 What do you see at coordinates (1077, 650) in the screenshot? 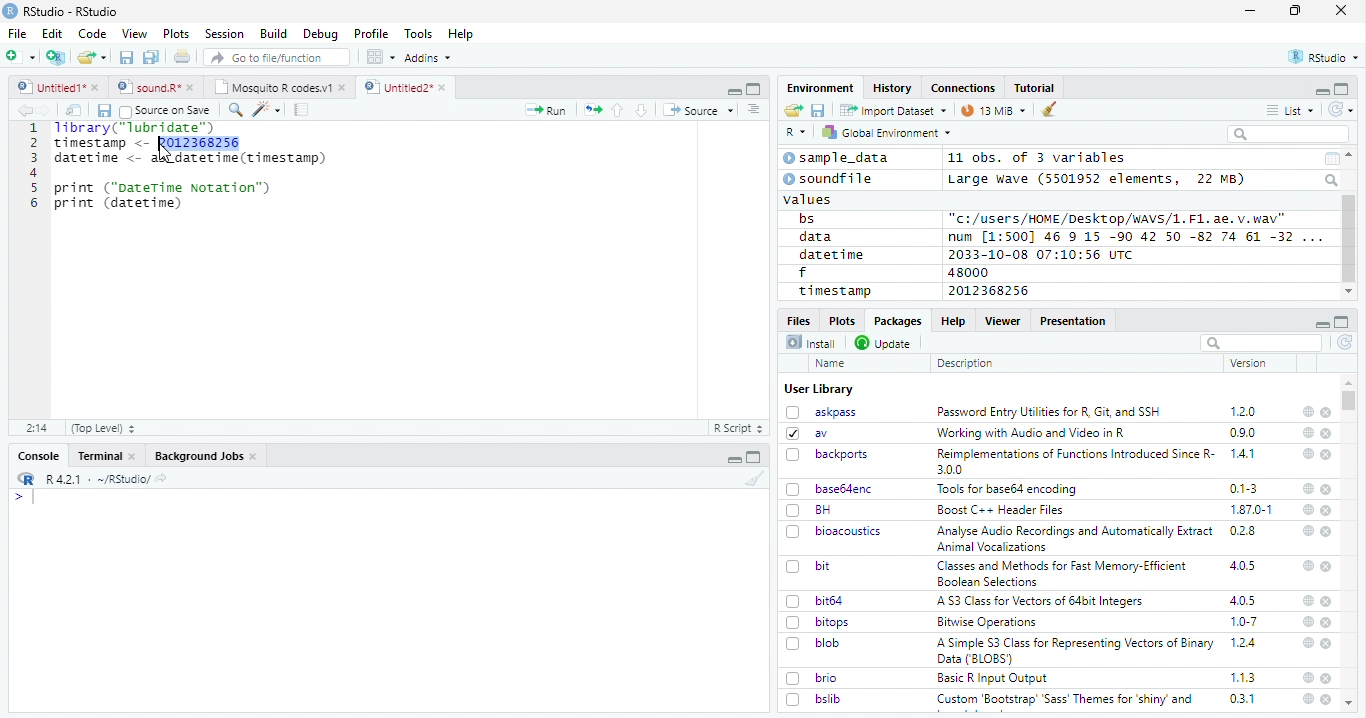
I see `A Simple S3 Class for Representing Vectors of Binary
Data (BLOBS)` at bounding box center [1077, 650].